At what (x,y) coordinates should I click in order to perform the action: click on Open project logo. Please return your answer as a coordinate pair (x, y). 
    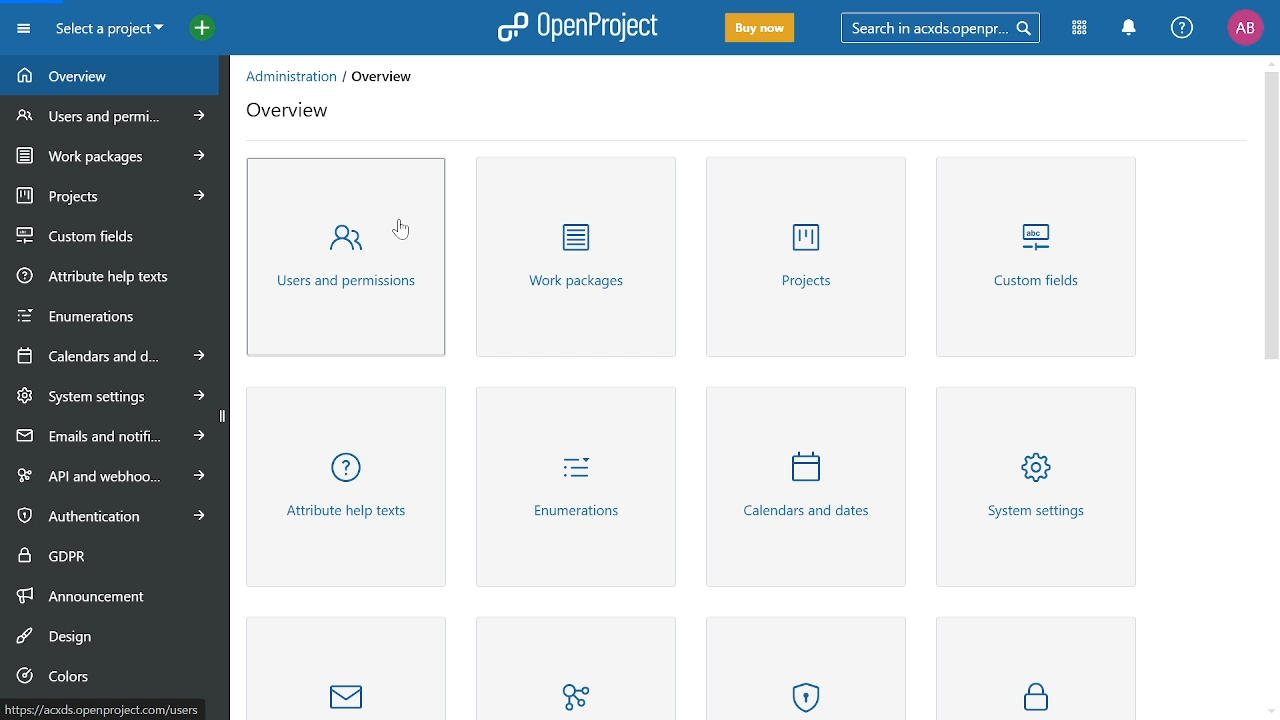
    Looking at the image, I should click on (578, 27).